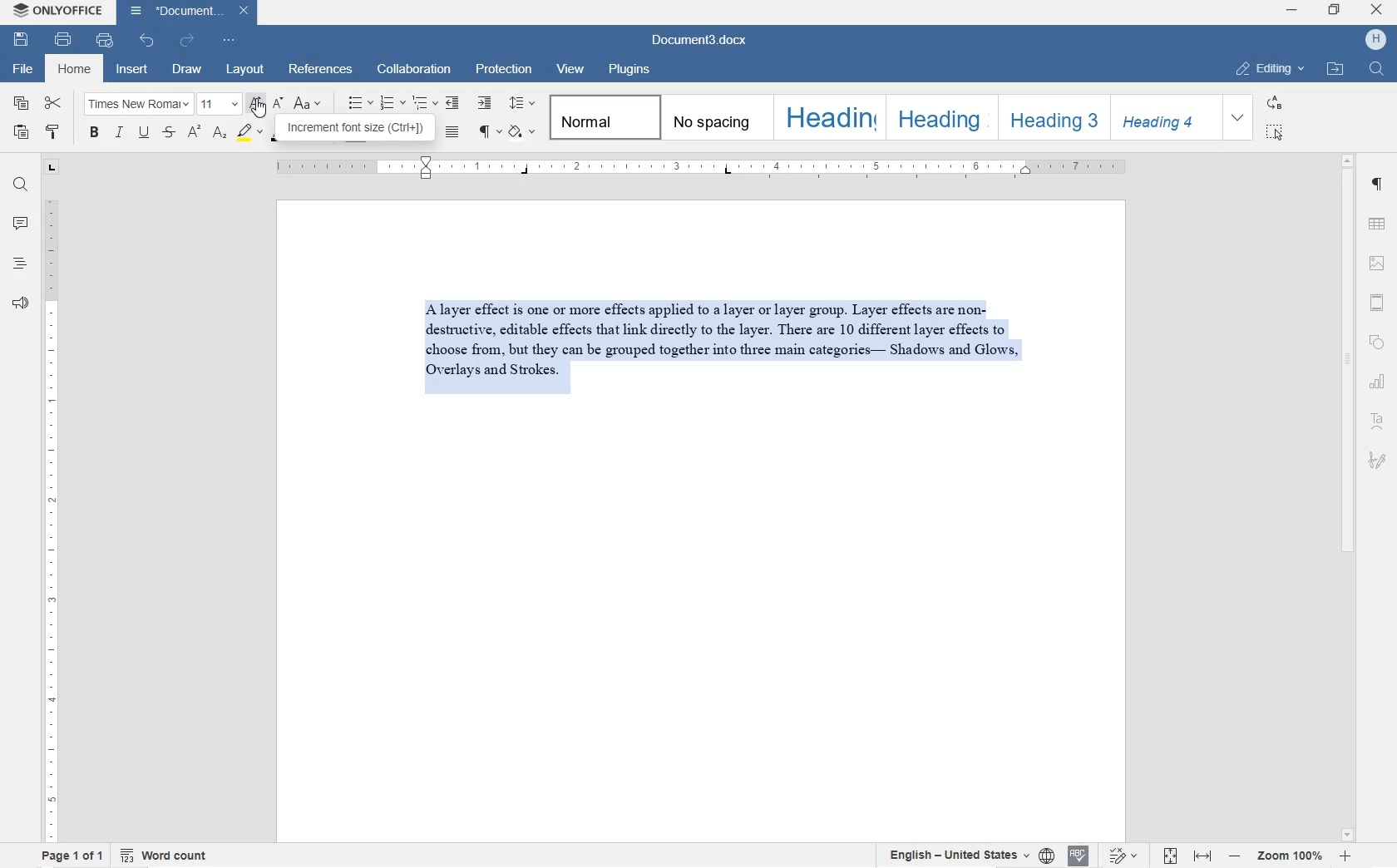 The image size is (1397, 868). I want to click on comments, so click(22, 225).